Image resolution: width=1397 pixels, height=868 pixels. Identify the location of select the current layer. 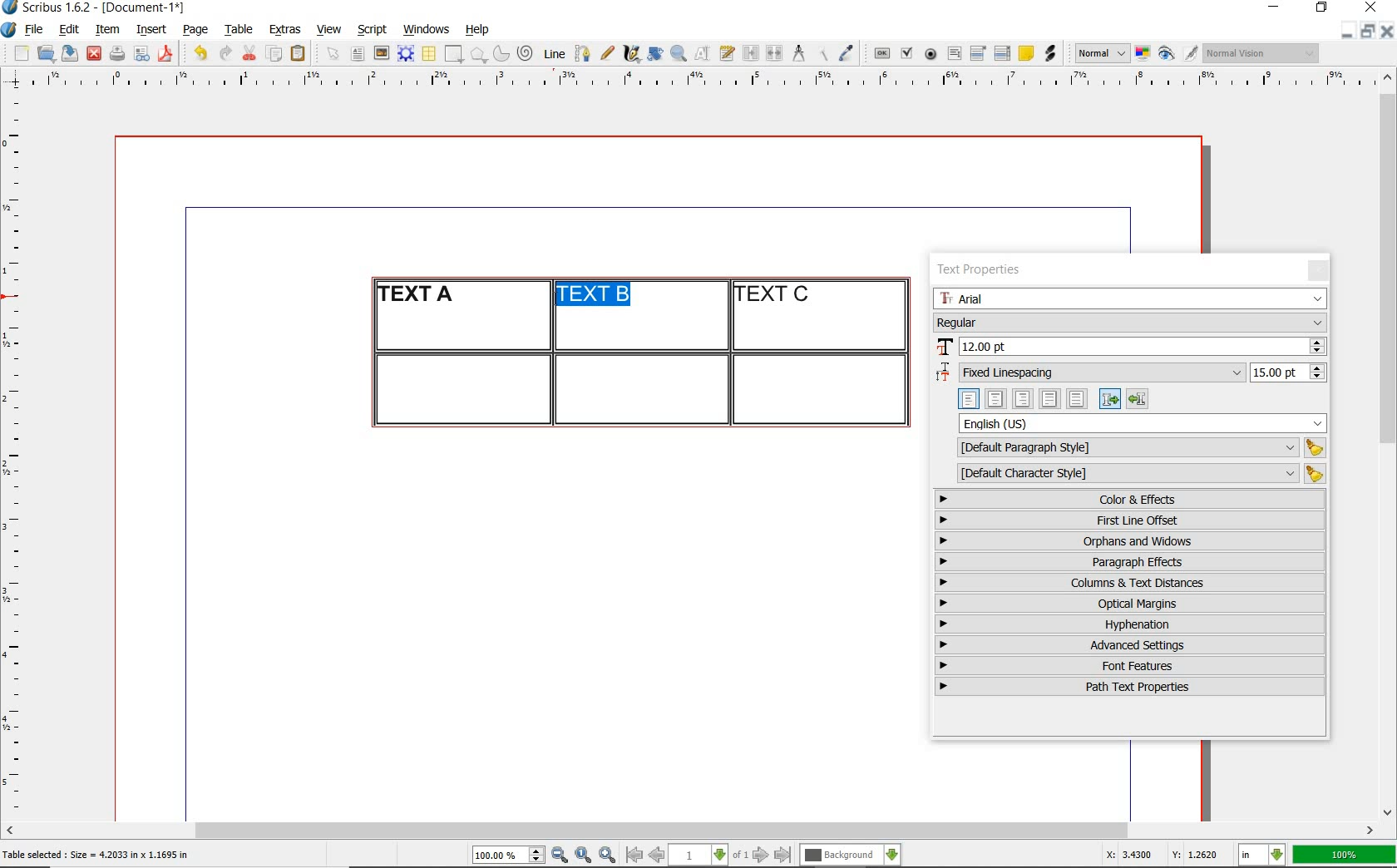
(851, 856).